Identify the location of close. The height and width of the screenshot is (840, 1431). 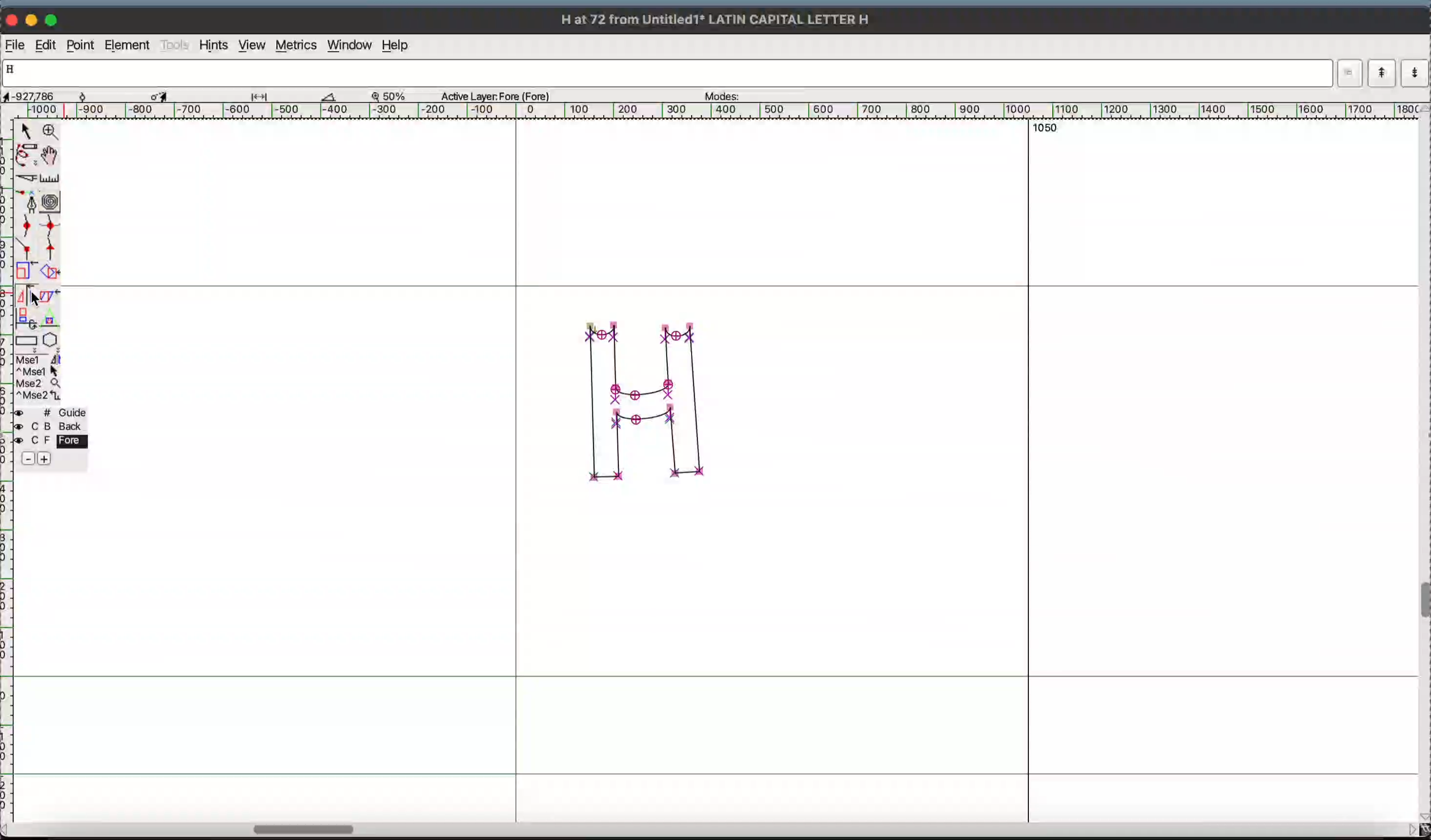
(12, 18).